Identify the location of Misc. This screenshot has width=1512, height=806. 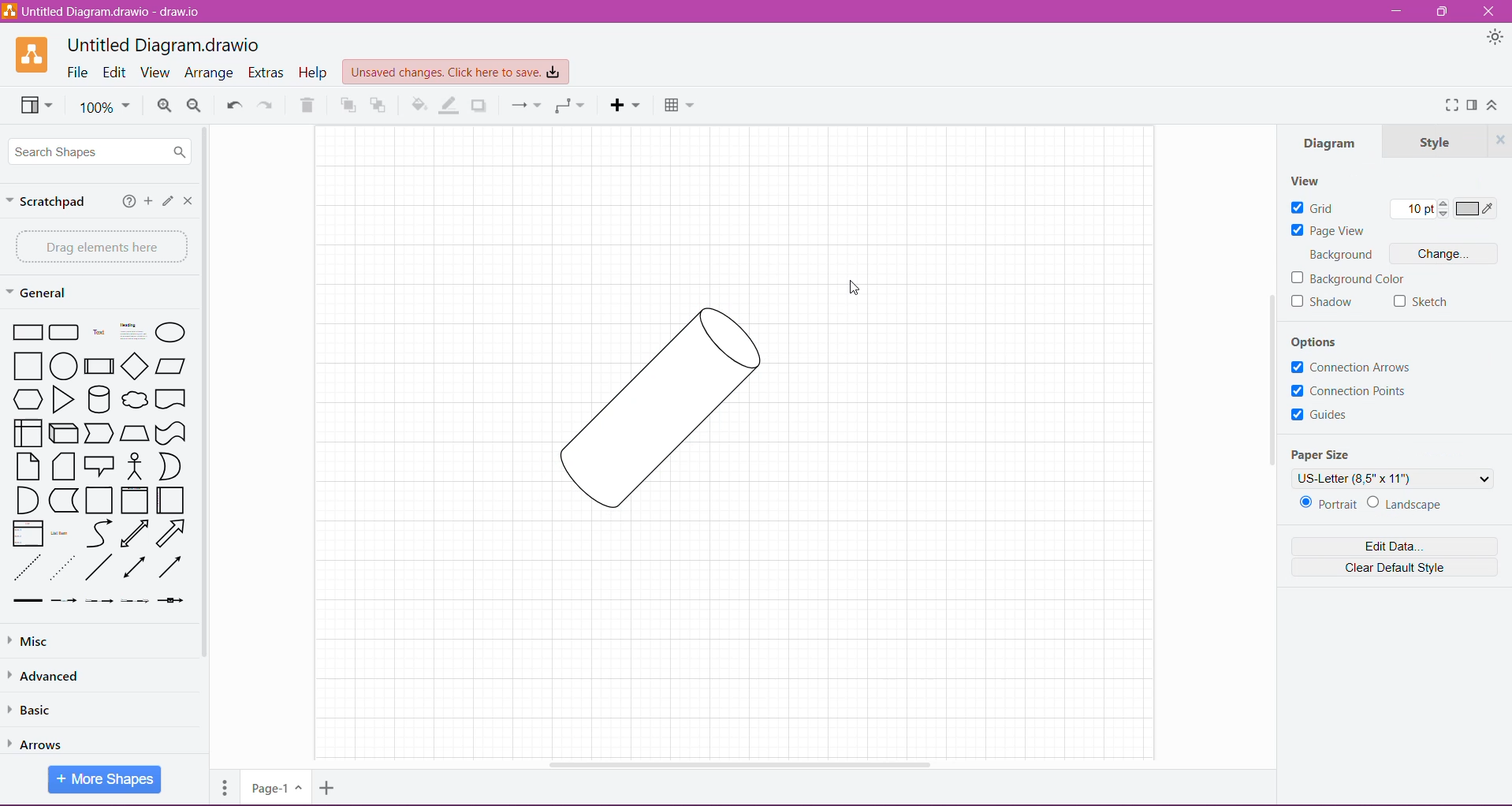
(88, 641).